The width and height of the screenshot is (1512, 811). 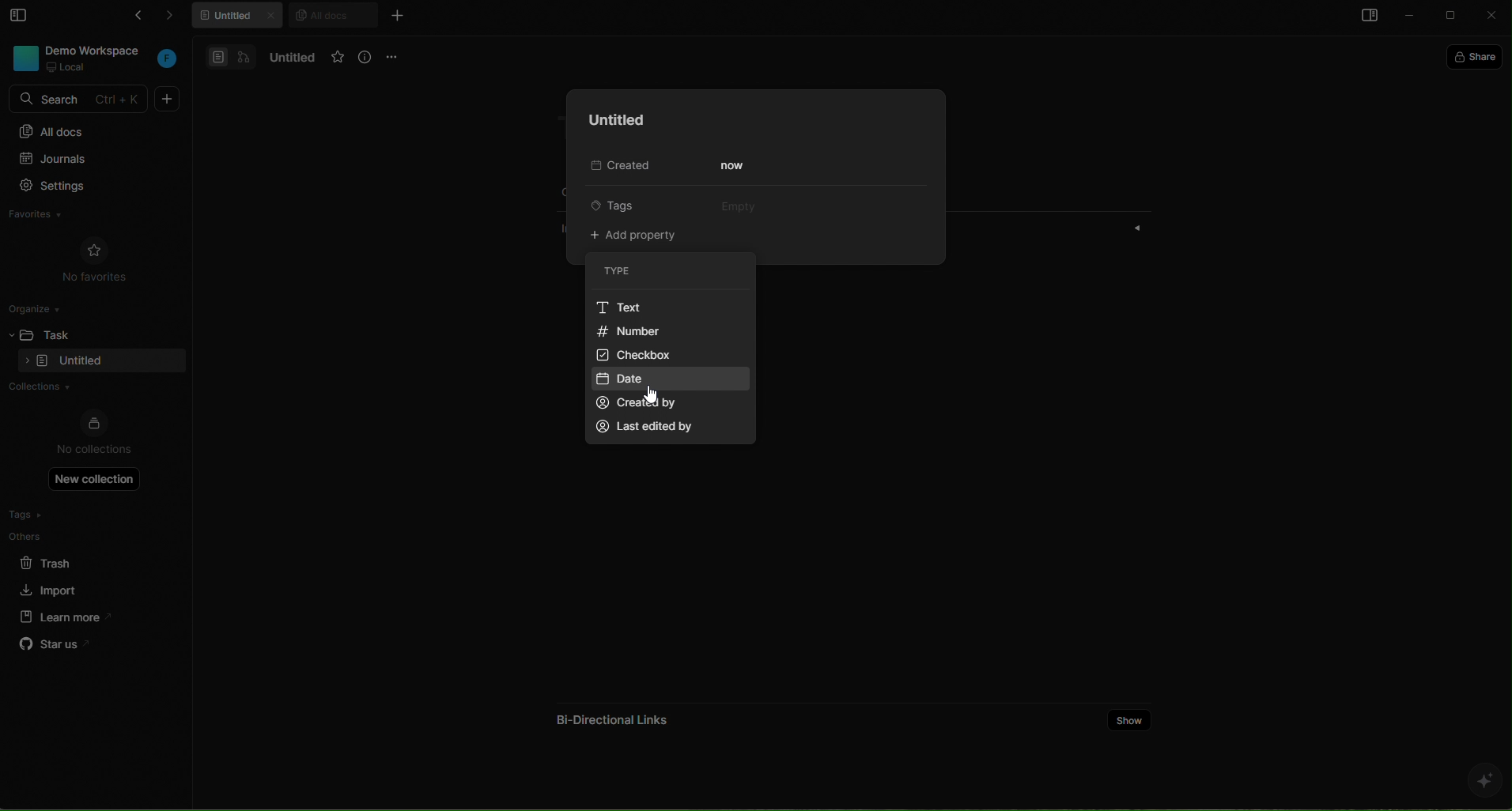 What do you see at coordinates (85, 160) in the screenshot?
I see `journals` at bounding box center [85, 160].